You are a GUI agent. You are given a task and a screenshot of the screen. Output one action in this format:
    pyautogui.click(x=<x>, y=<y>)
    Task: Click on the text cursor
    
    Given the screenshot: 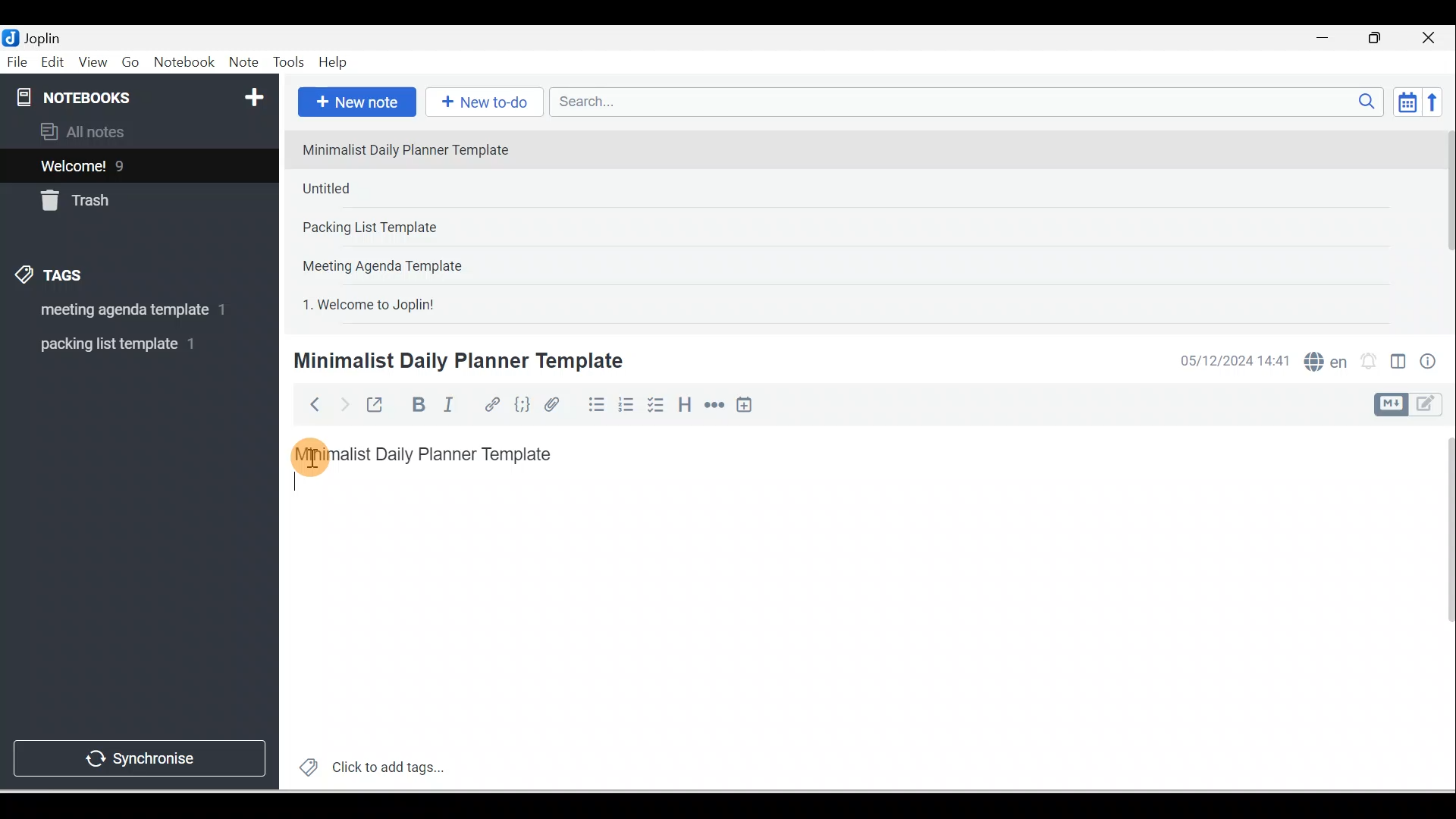 What is the action you would take?
    pyautogui.click(x=297, y=482)
    